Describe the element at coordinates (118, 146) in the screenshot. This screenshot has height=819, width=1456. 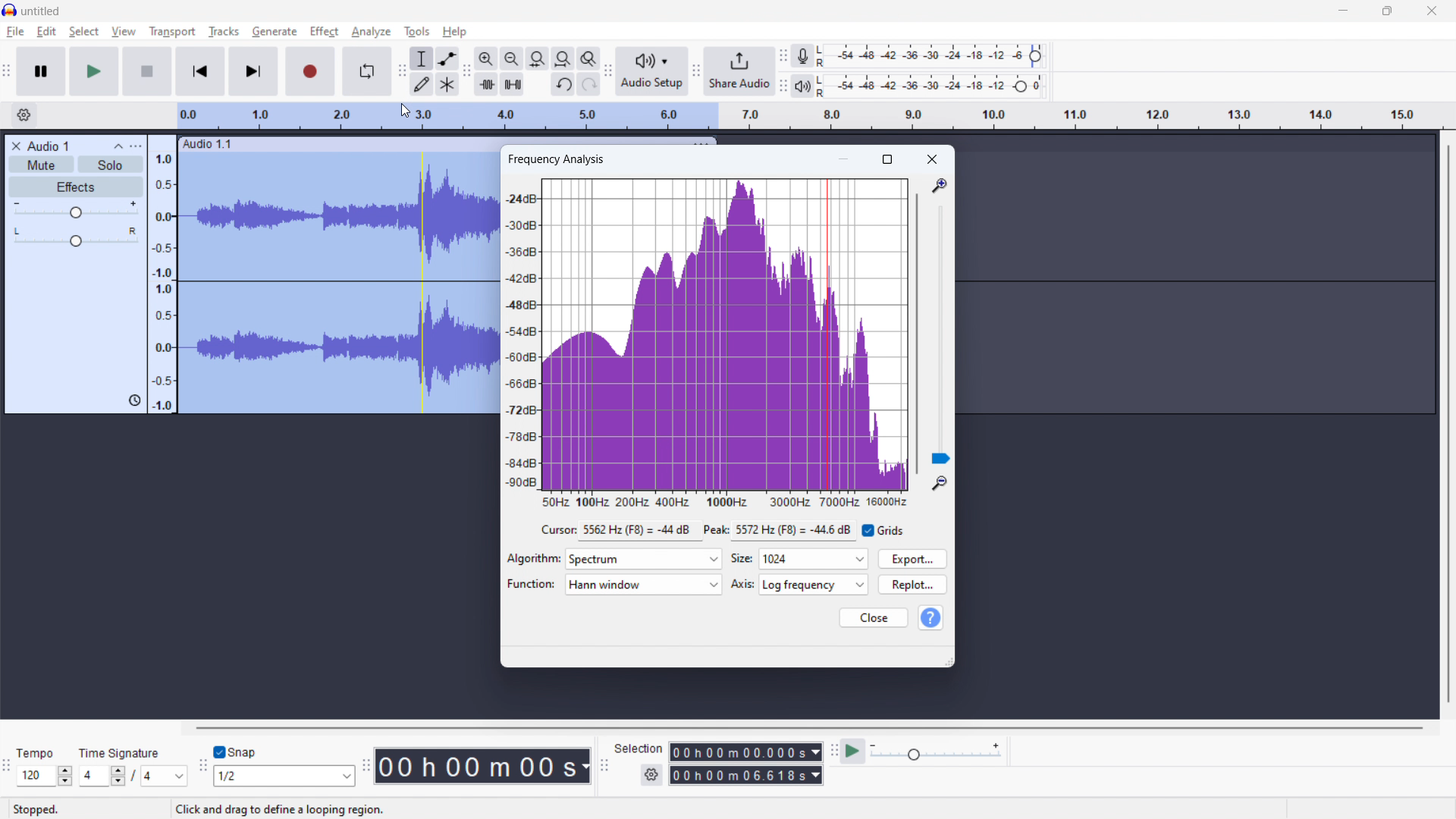
I see `collapse` at that location.